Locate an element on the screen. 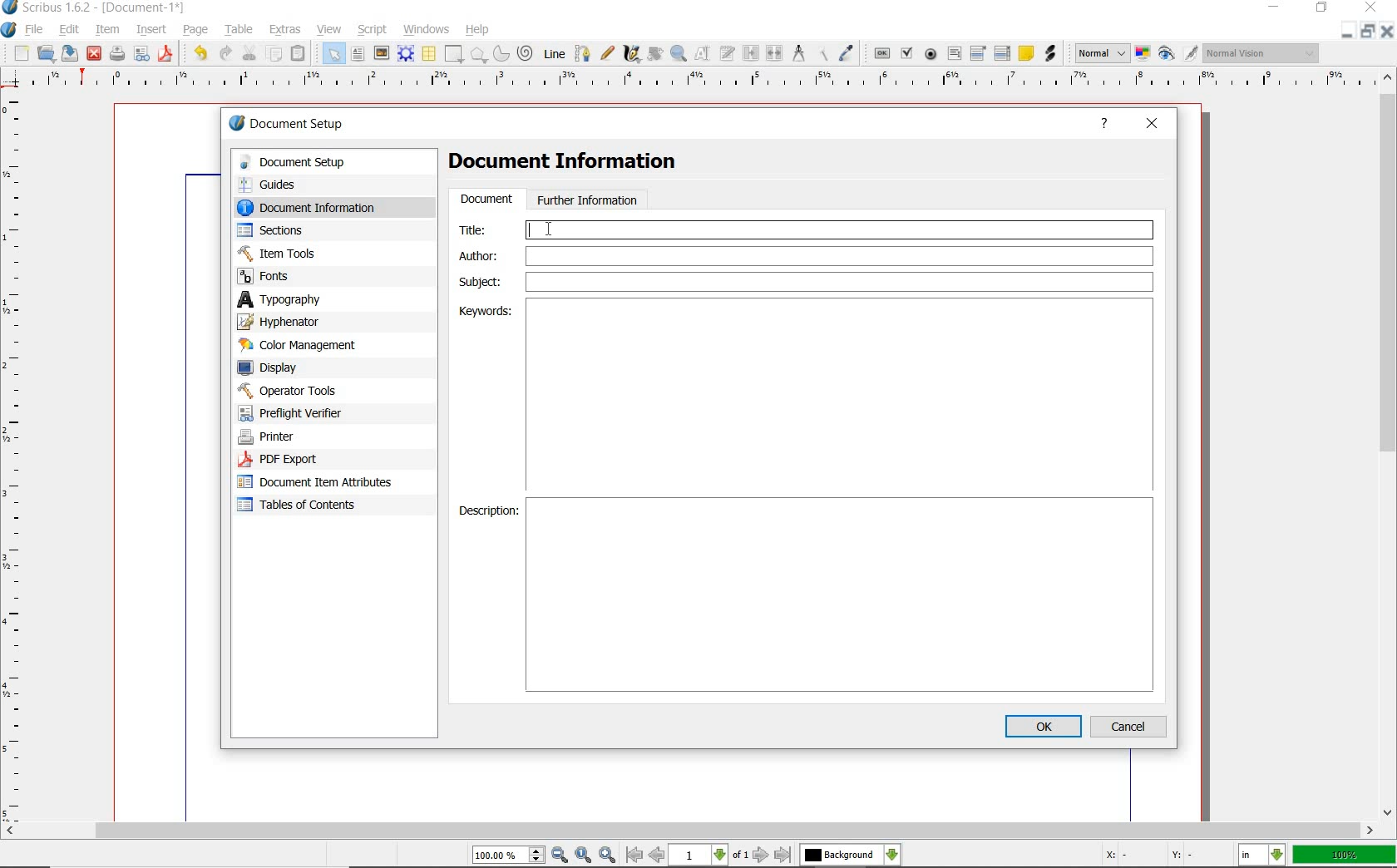 This screenshot has height=868, width=1397. page is located at coordinates (199, 30).